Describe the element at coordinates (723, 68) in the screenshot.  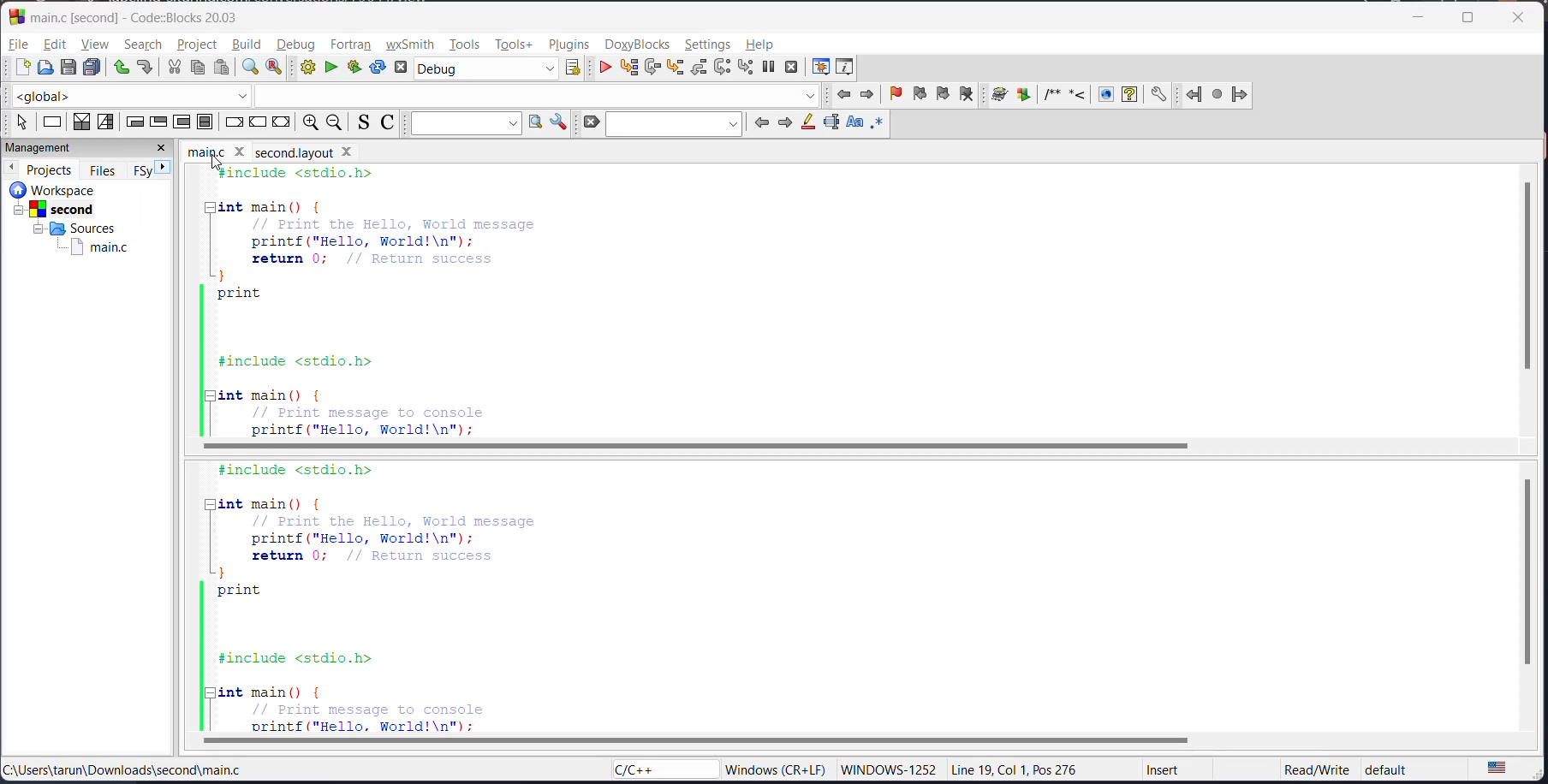
I see `next instruction` at that location.